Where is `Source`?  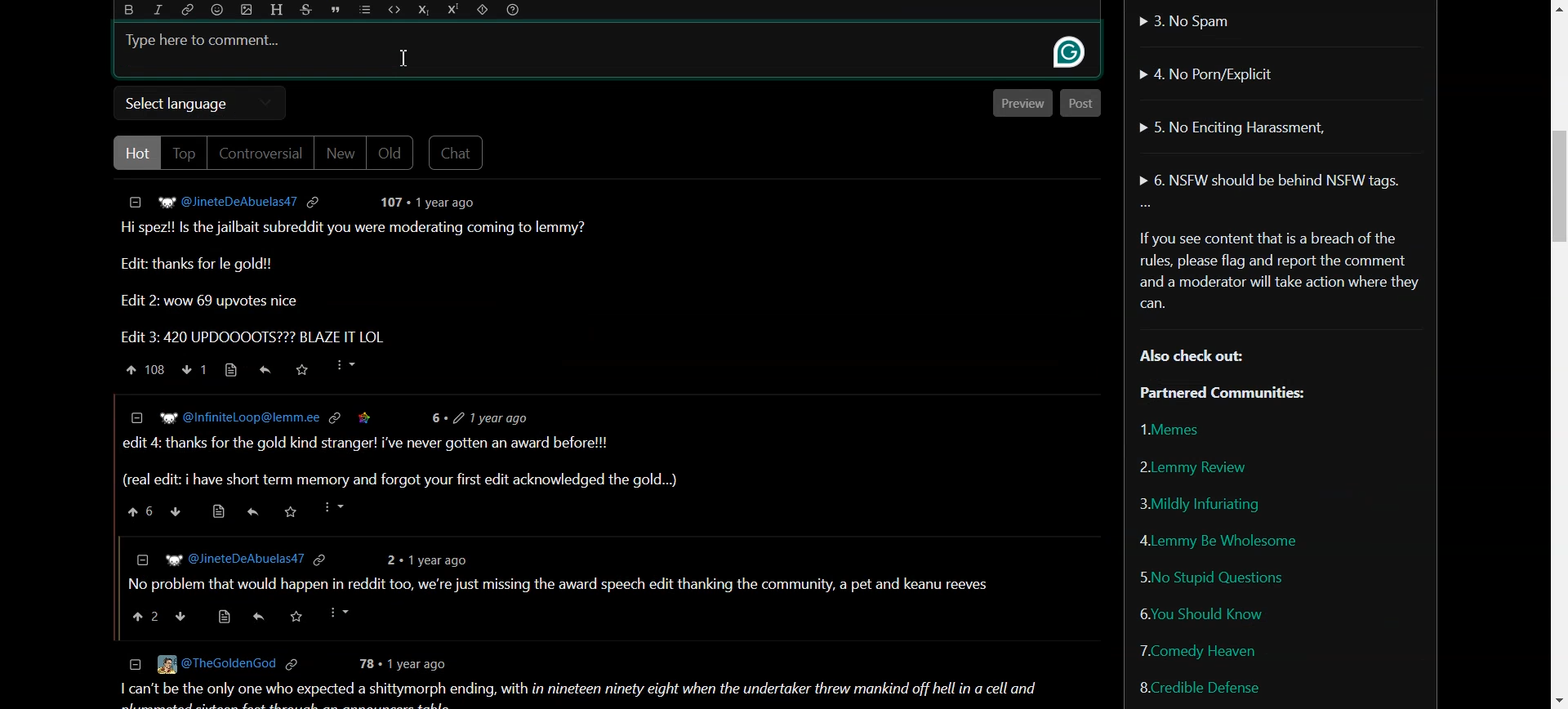
Source is located at coordinates (232, 370).